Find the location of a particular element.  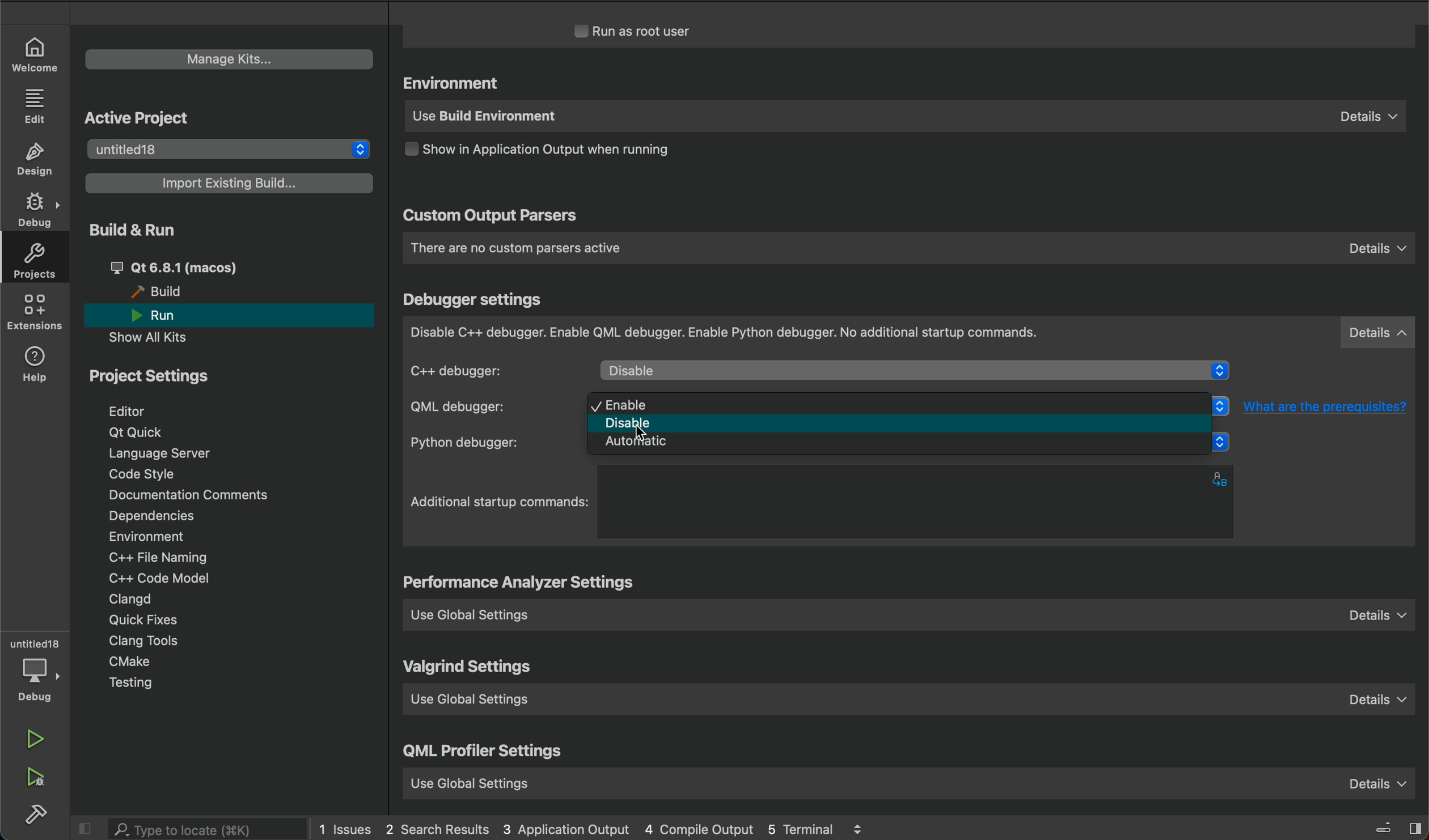

WELCOME is located at coordinates (35, 53).